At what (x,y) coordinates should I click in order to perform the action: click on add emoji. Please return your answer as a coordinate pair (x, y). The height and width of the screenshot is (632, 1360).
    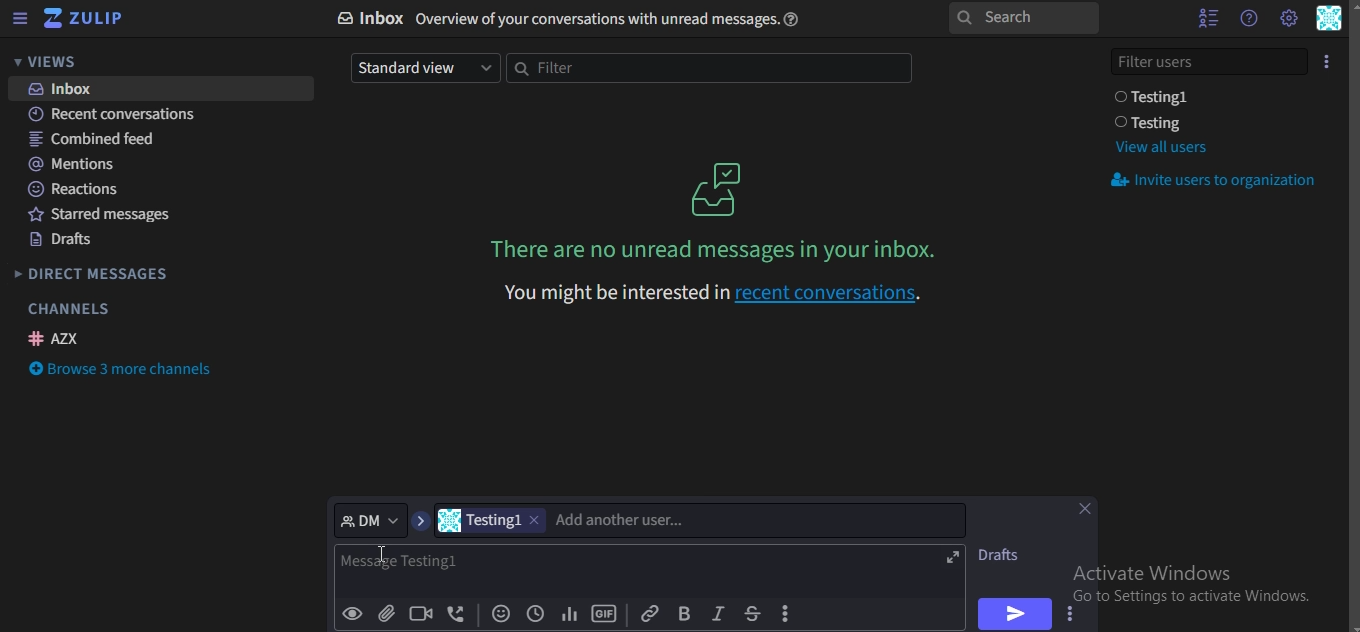
    Looking at the image, I should click on (502, 615).